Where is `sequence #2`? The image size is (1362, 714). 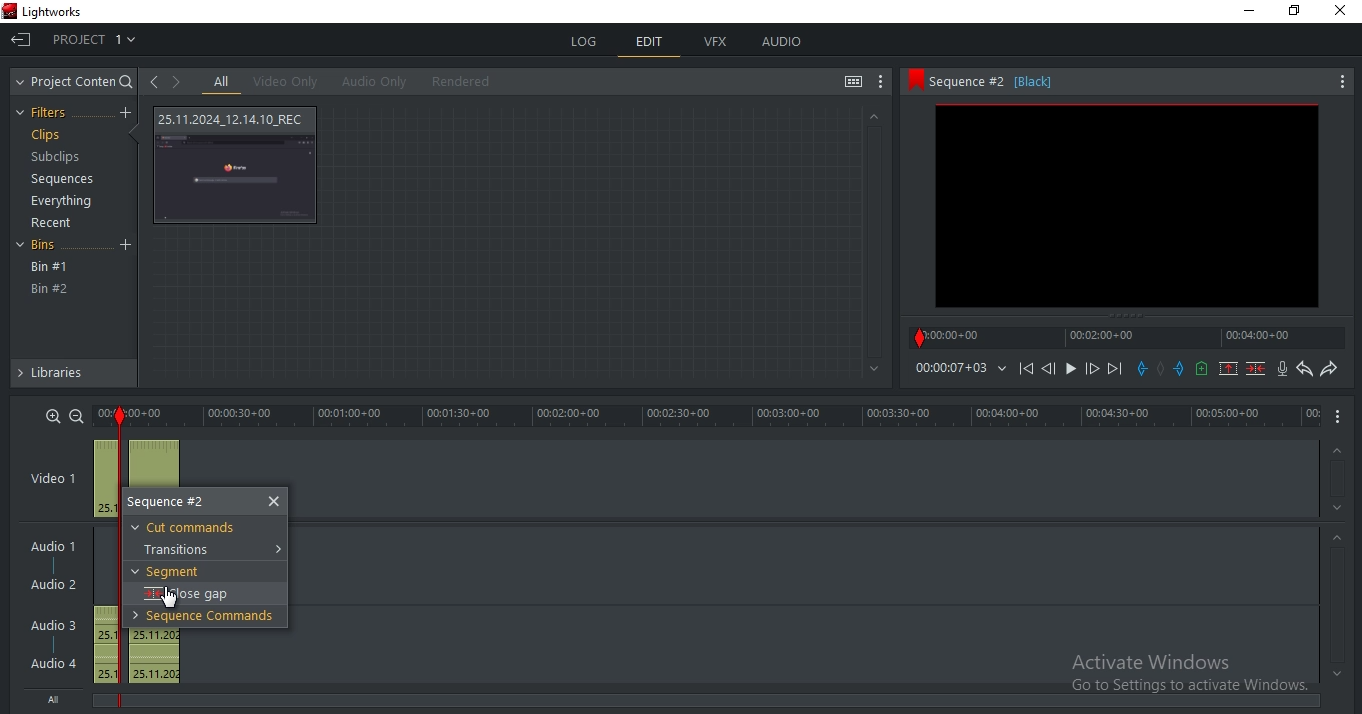
sequence #2 is located at coordinates (1105, 82).